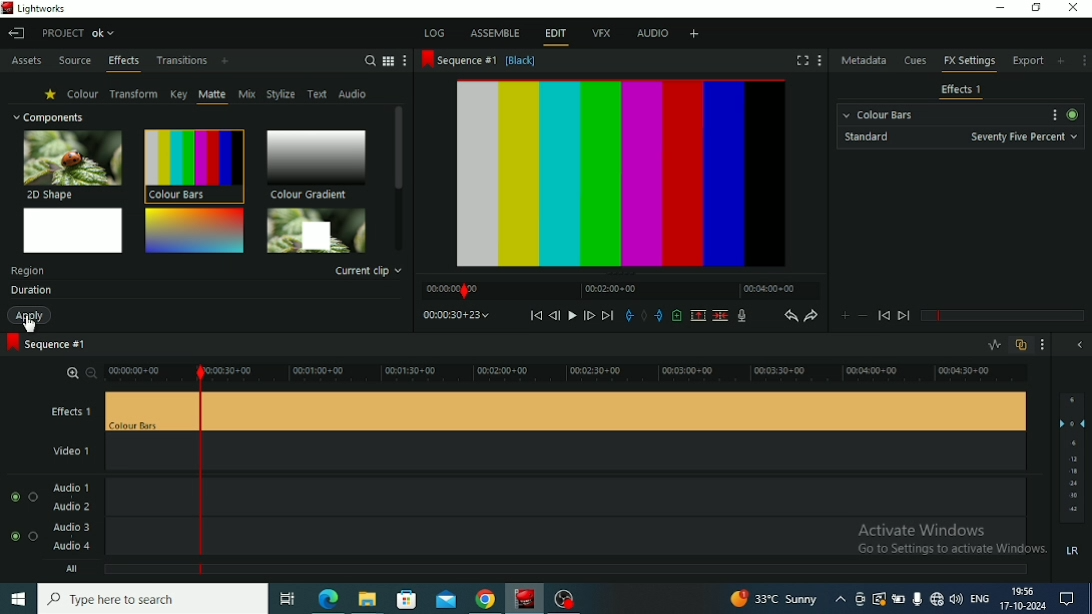 This screenshot has height=614, width=1092. I want to click on Key, so click(178, 94).